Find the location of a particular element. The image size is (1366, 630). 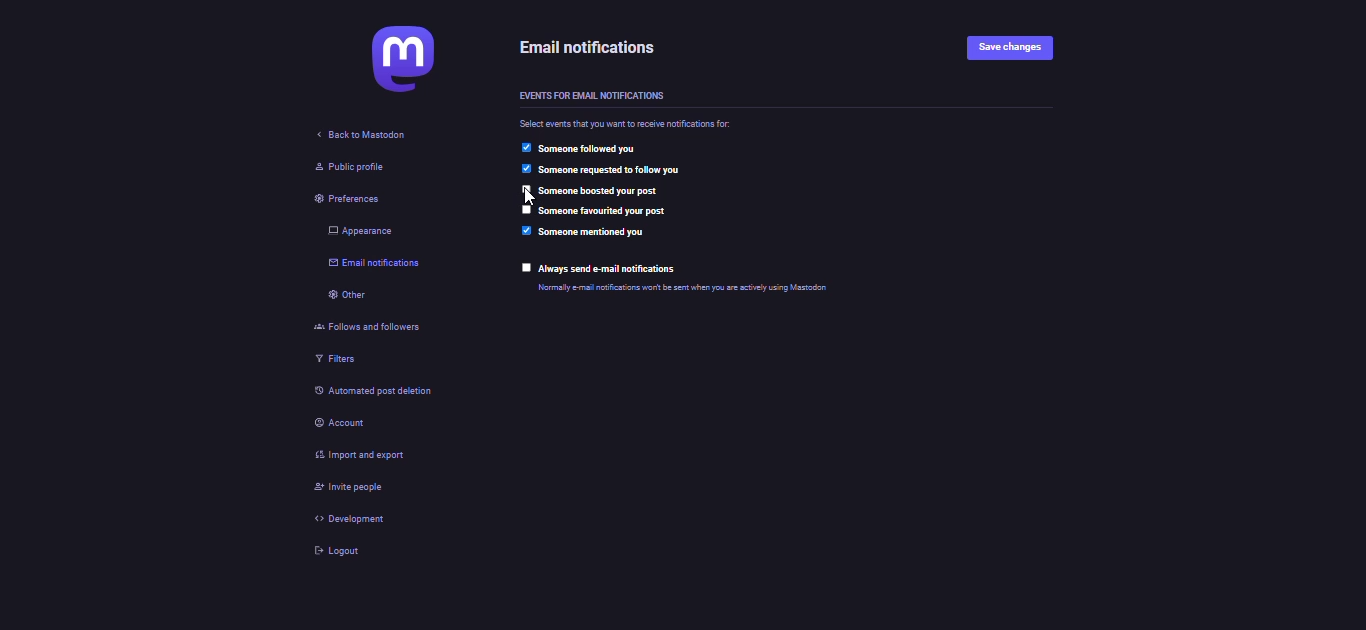

click to enable is located at coordinates (526, 267).